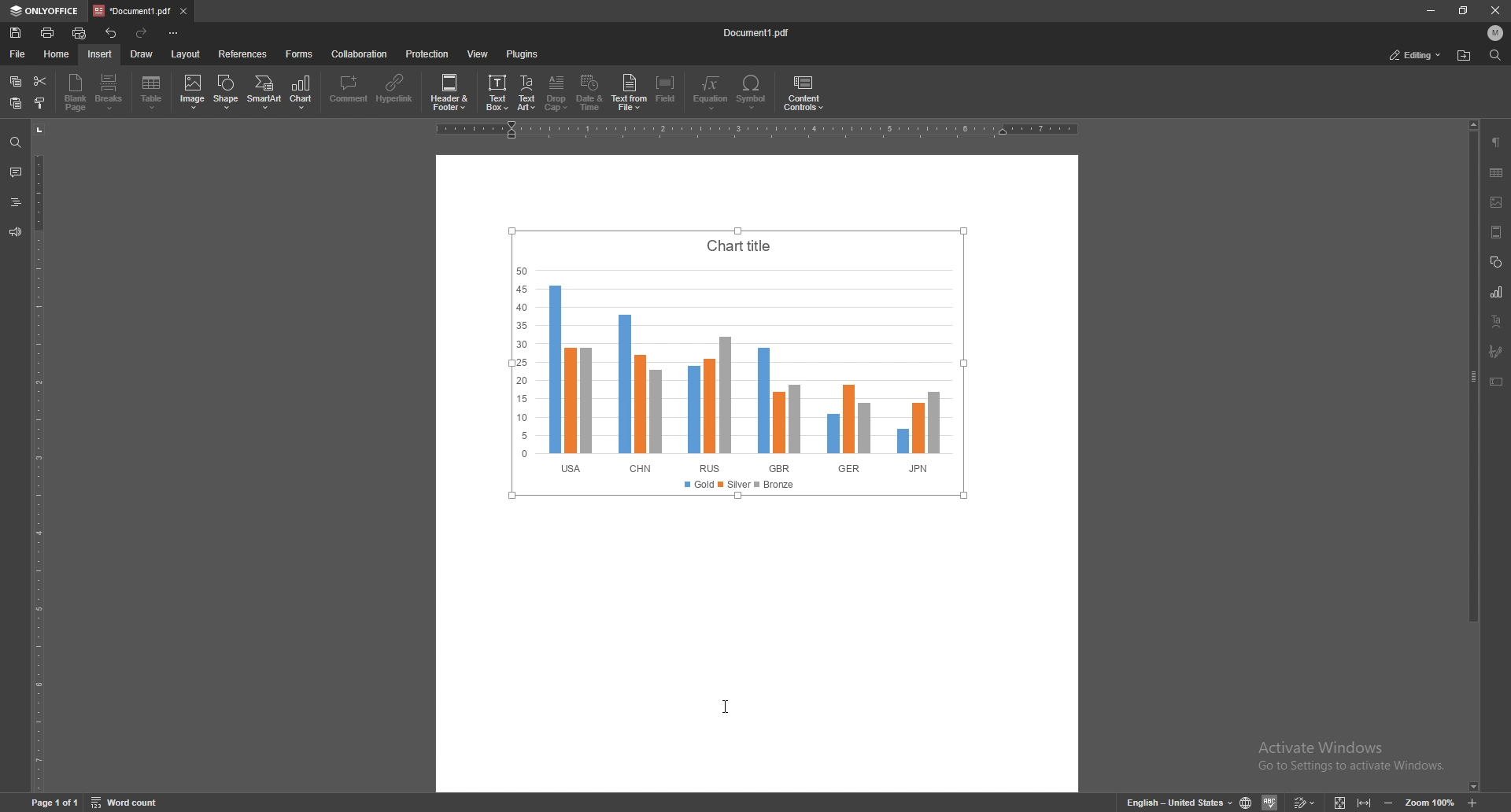 The image size is (1511, 812). What do you see at coordinates (1496, 32) in the screenshot?
I see `profile` at bounding box center [1496, 32].